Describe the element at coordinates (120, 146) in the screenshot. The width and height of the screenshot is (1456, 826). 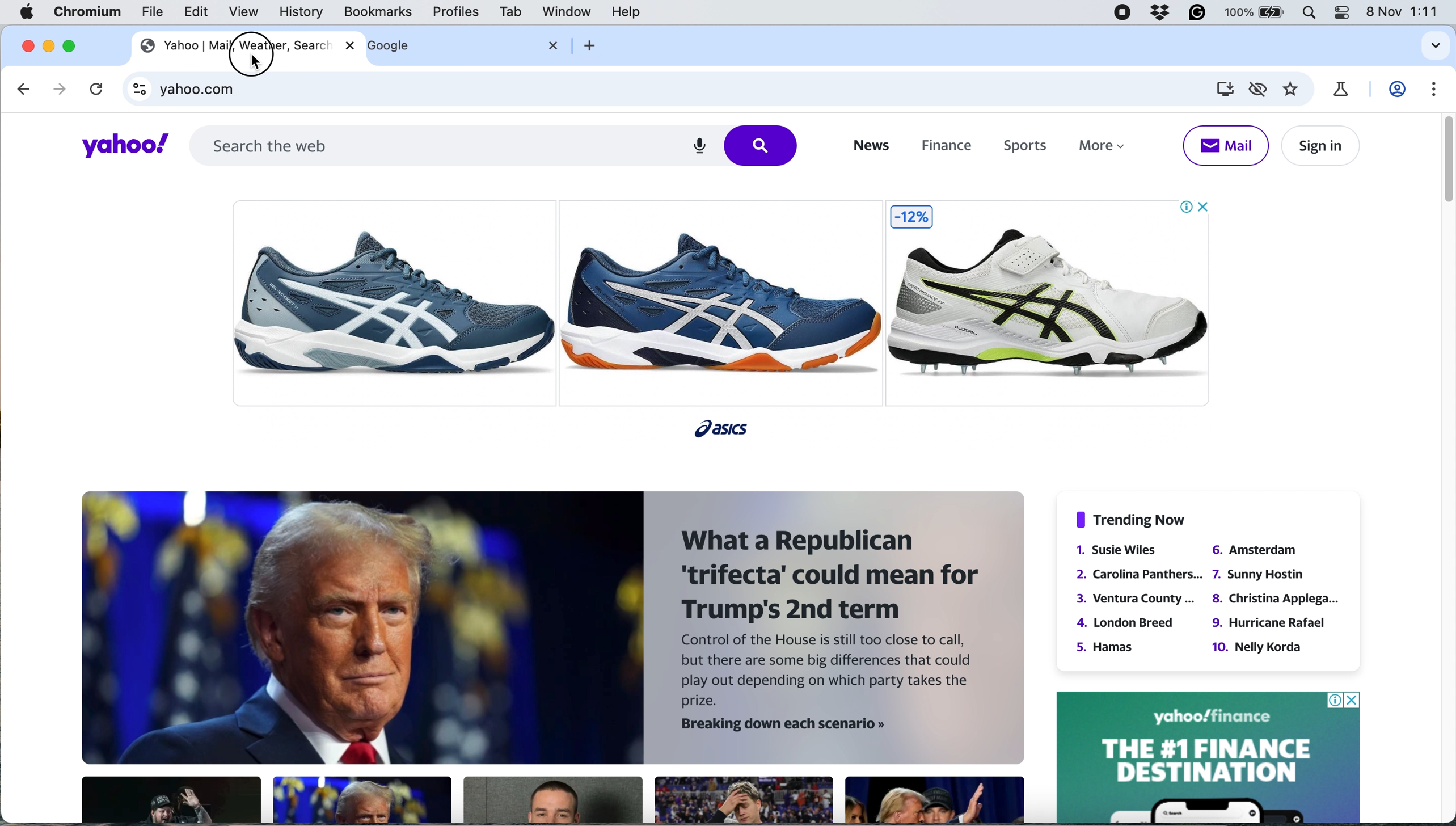
I see `yahoo!` at that location.